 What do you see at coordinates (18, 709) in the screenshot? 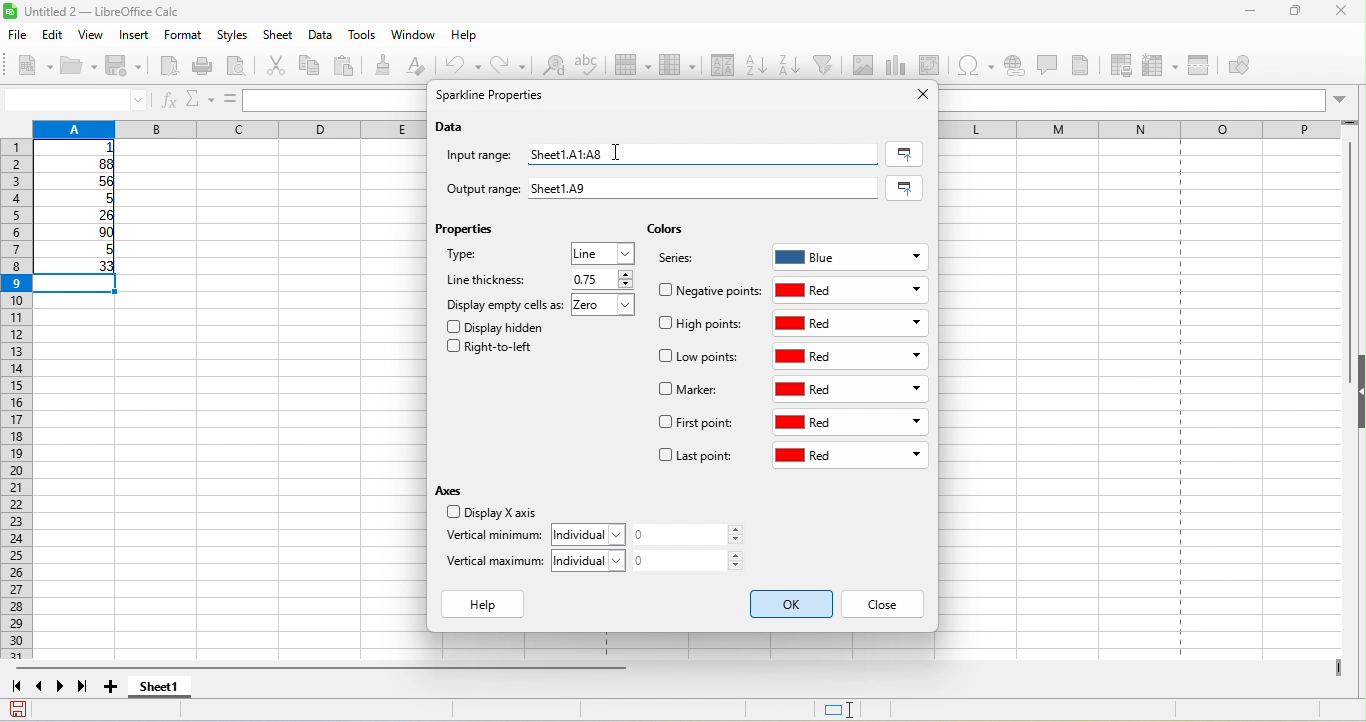
I see `save document` at bounding box center [18, 709].